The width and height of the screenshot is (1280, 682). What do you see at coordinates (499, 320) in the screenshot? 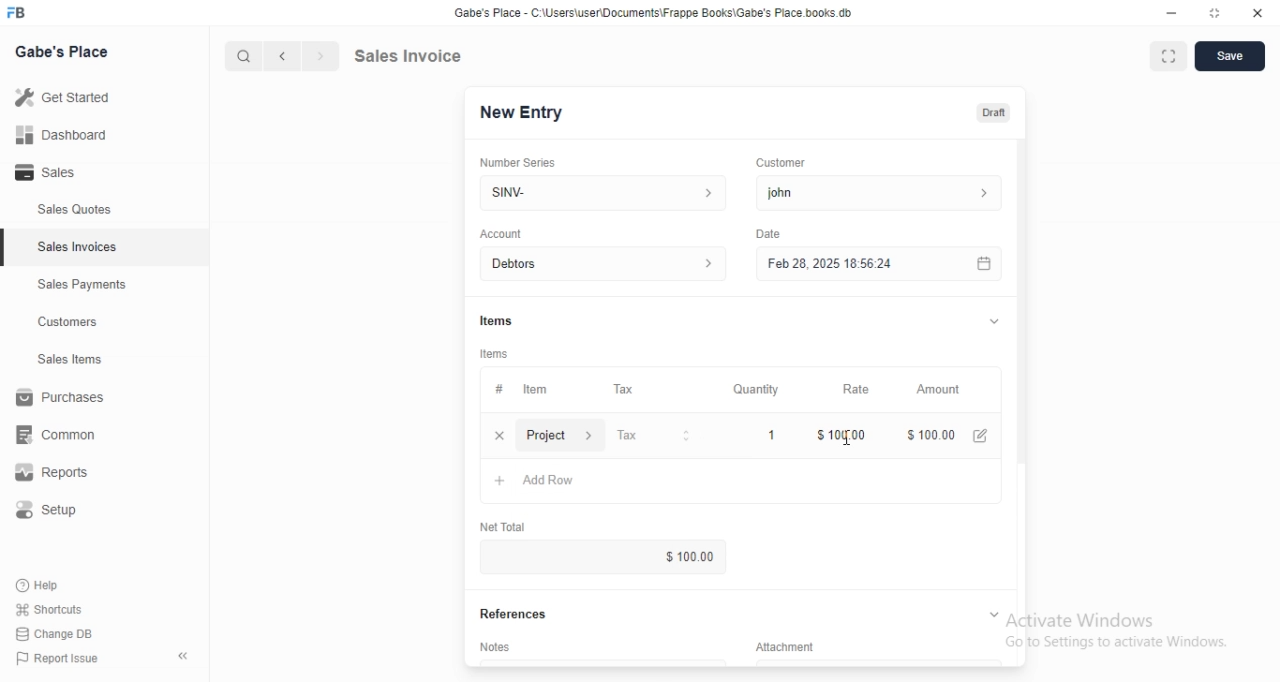
I see `` at bounding box center [499, 320].